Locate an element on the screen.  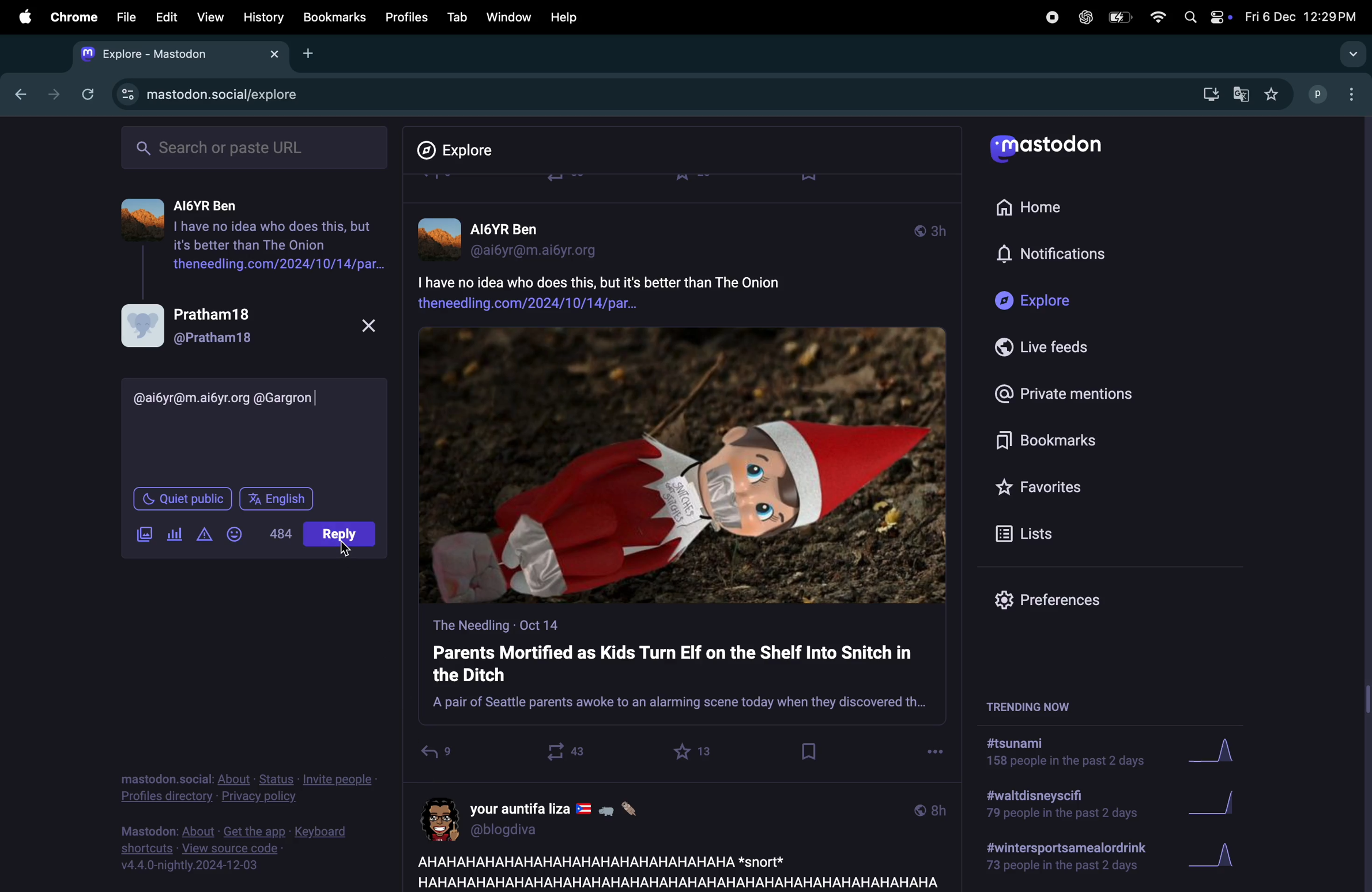
help is located at coordinates (564, 17).